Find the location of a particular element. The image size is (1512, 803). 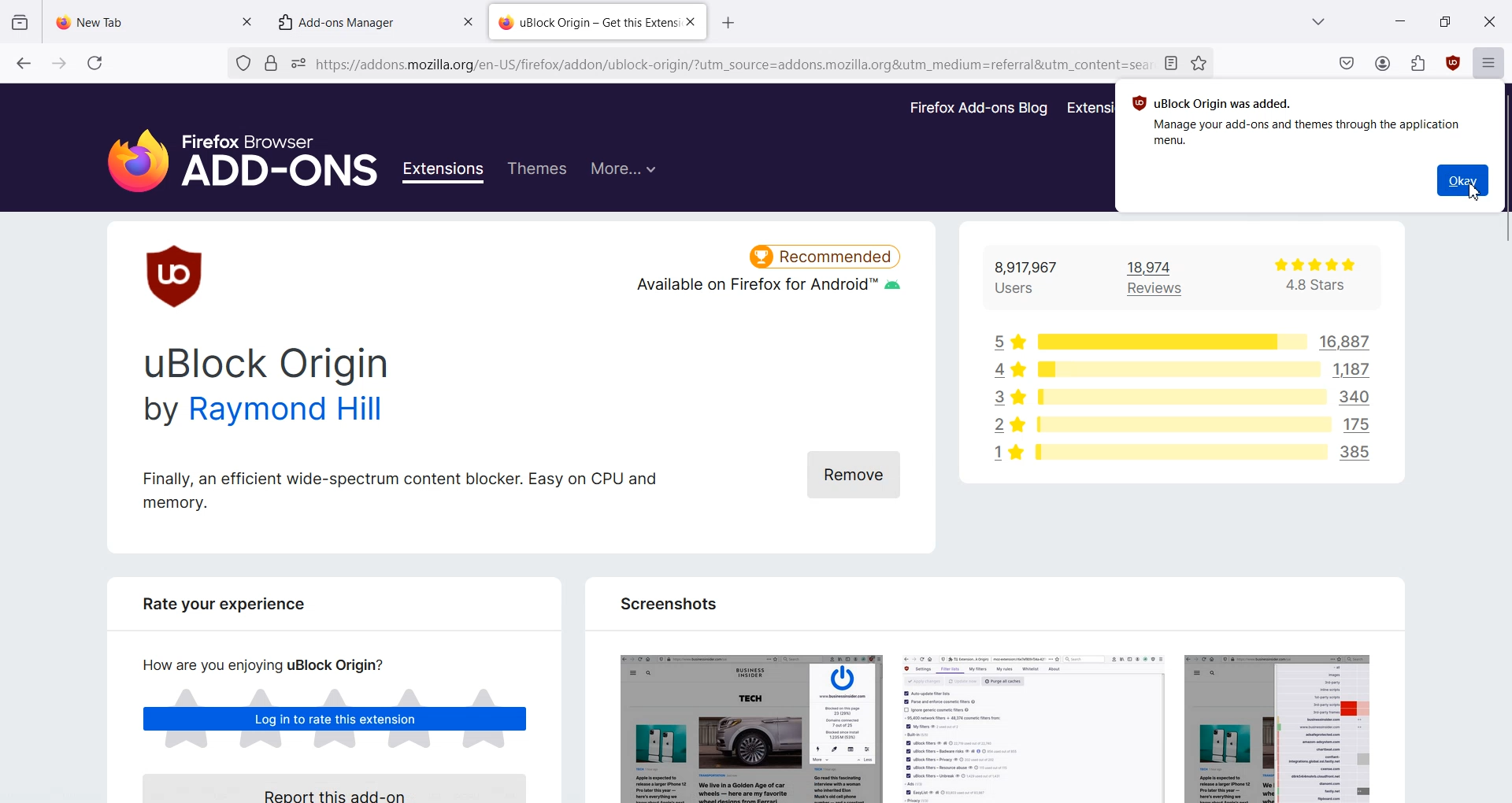

Firefox Add-ons Blog is located at coordinates (979, 109).